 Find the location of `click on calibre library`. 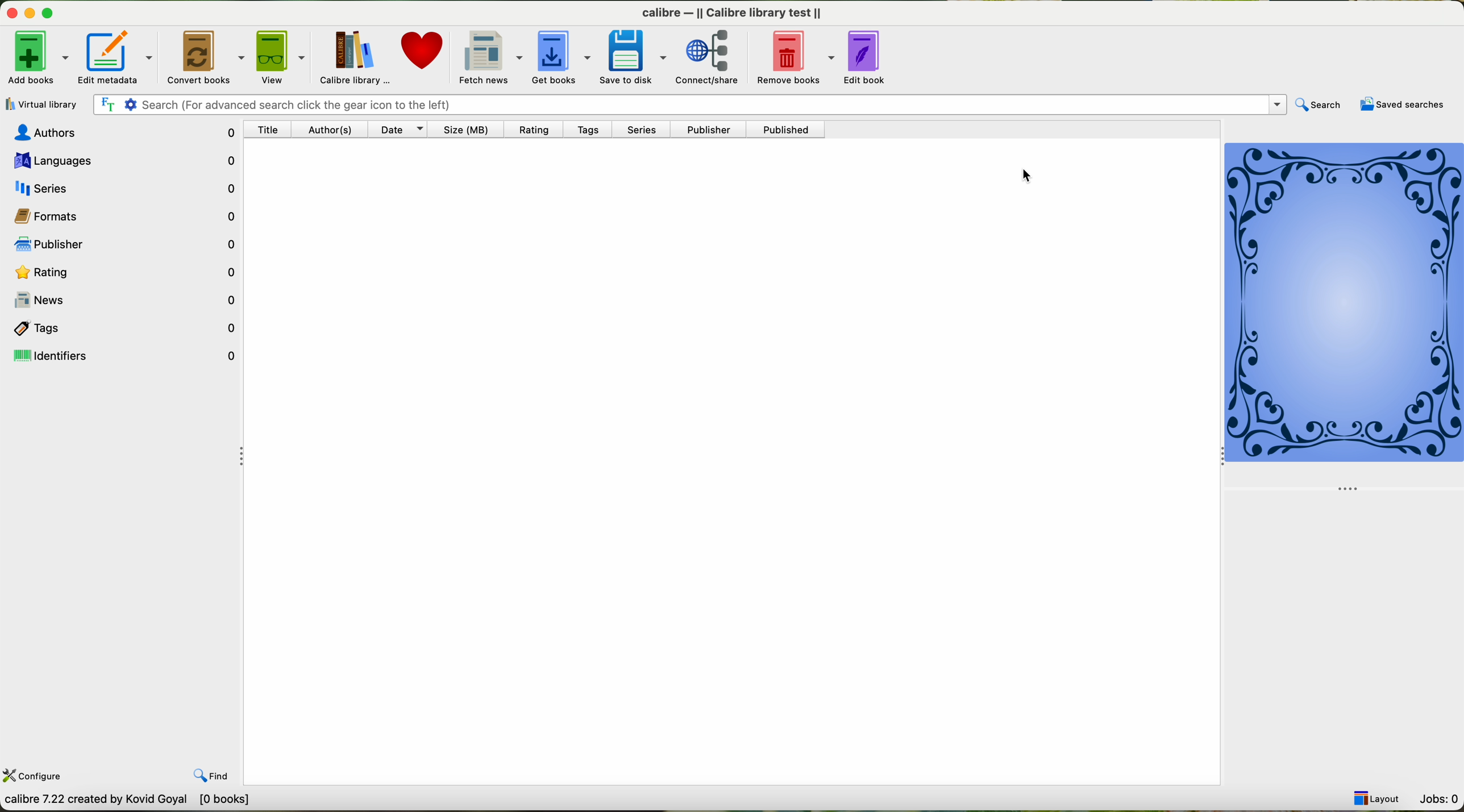

click on calibre library is located at coordinates (348, 57).